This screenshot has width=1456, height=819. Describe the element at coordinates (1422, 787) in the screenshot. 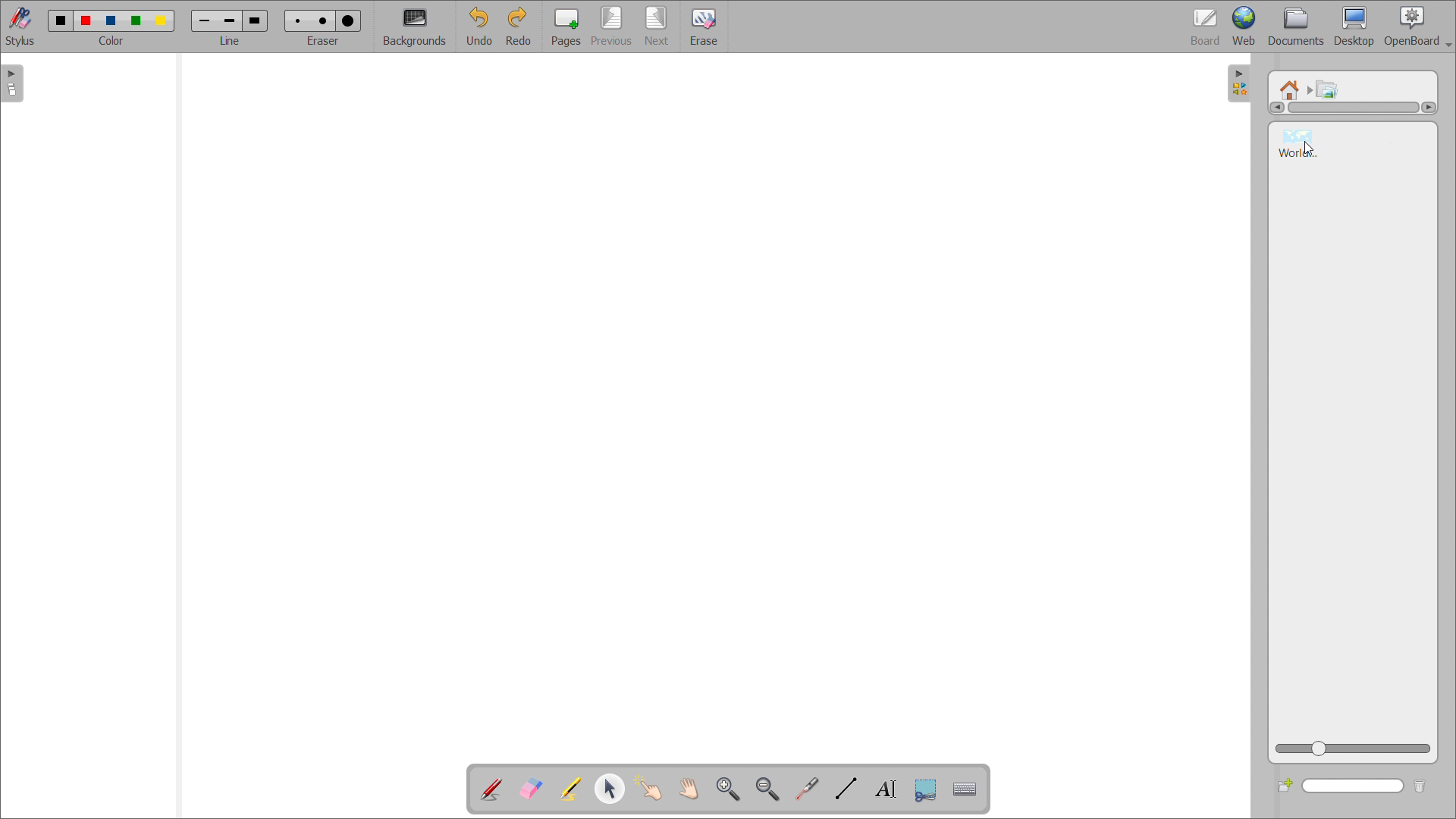

I see `delete folder` at that location.